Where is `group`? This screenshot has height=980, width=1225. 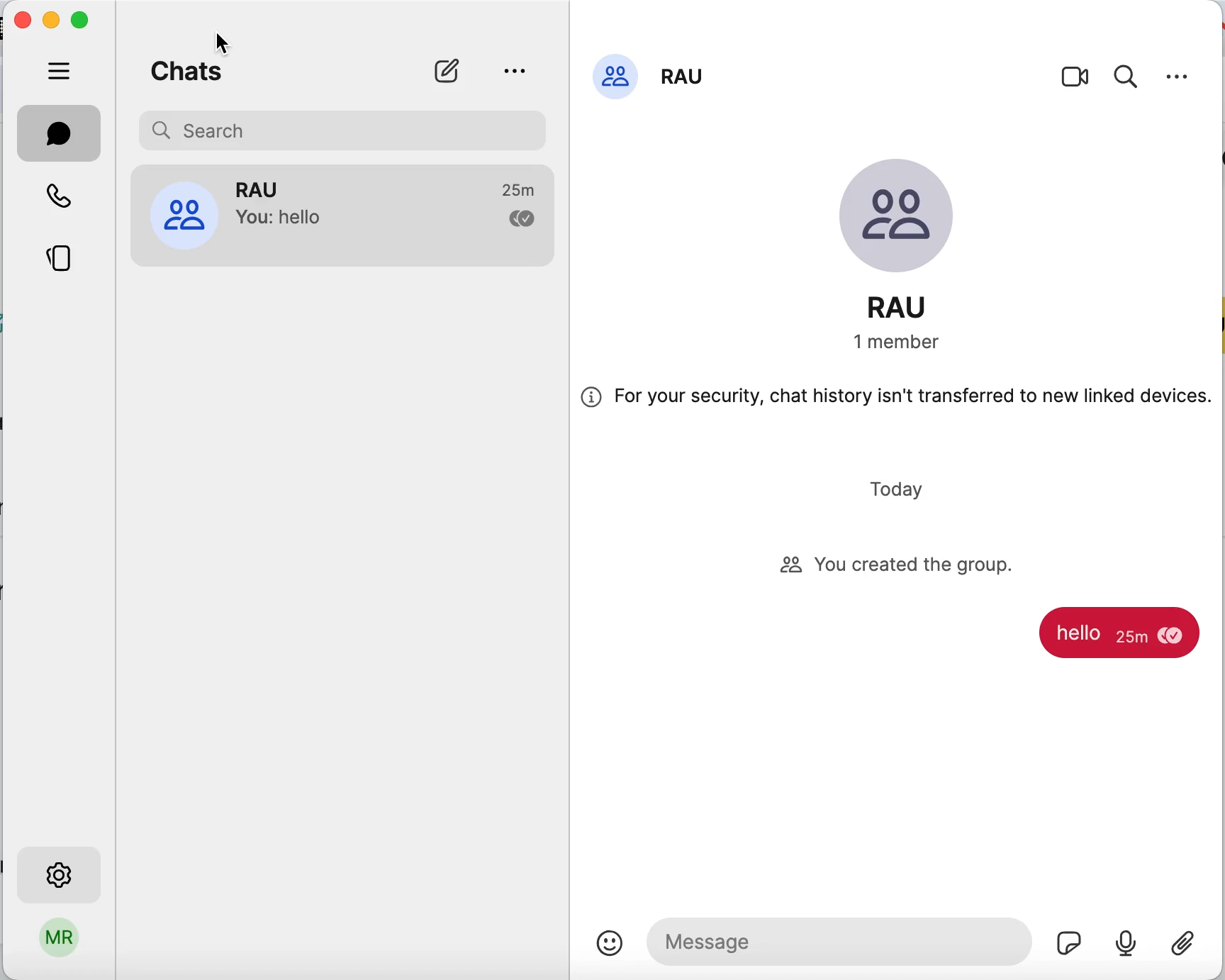 group is located at coordinates (341, 217).